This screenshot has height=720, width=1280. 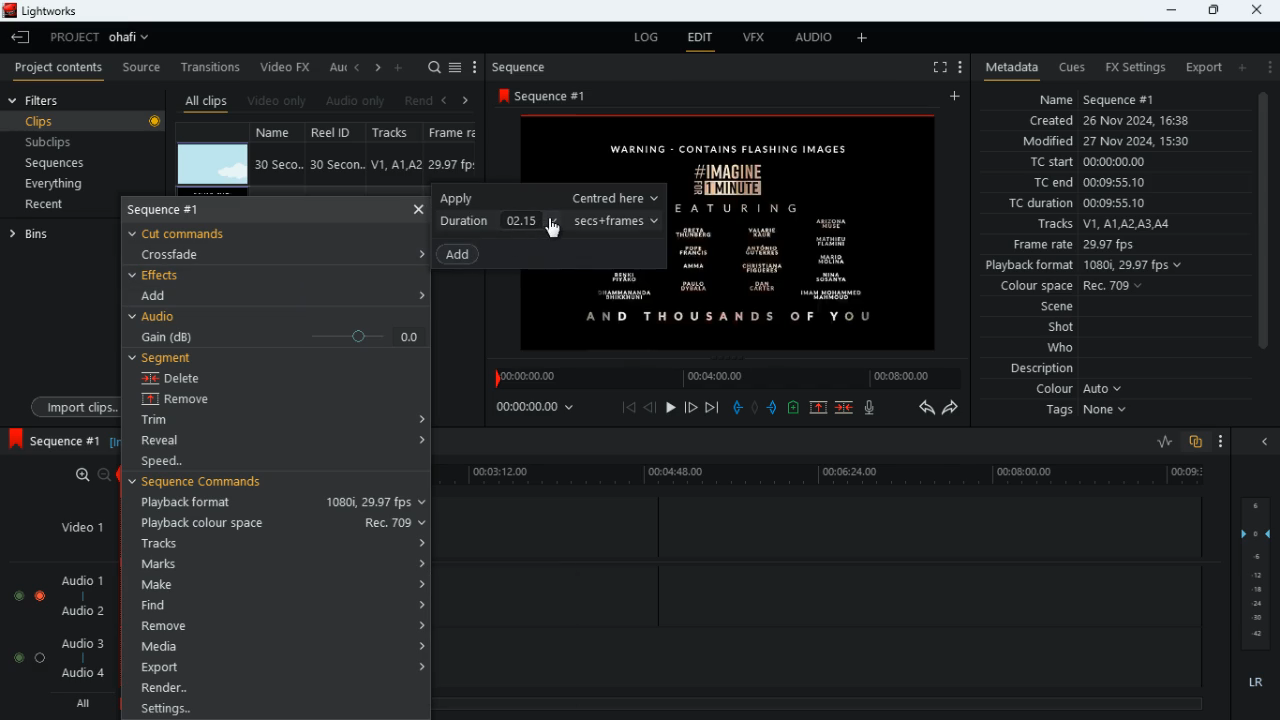 I want to click on mic, so click(x=871, y=407).